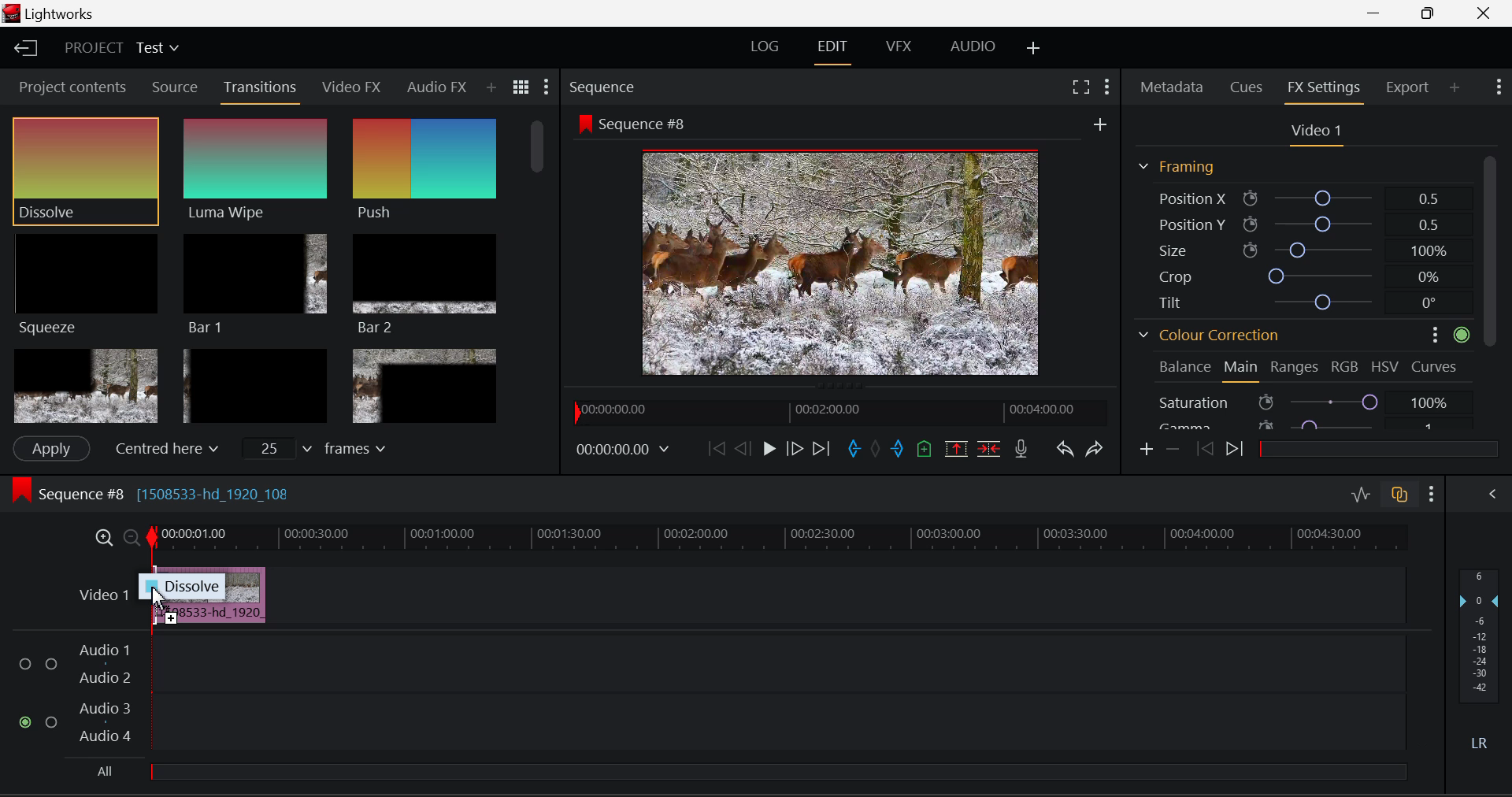 This screenshot has width=1512, height=797. What do you see at coordinates (84, 384) in the screenshot?
I see `Box 1` at bounding box center [84, 384].